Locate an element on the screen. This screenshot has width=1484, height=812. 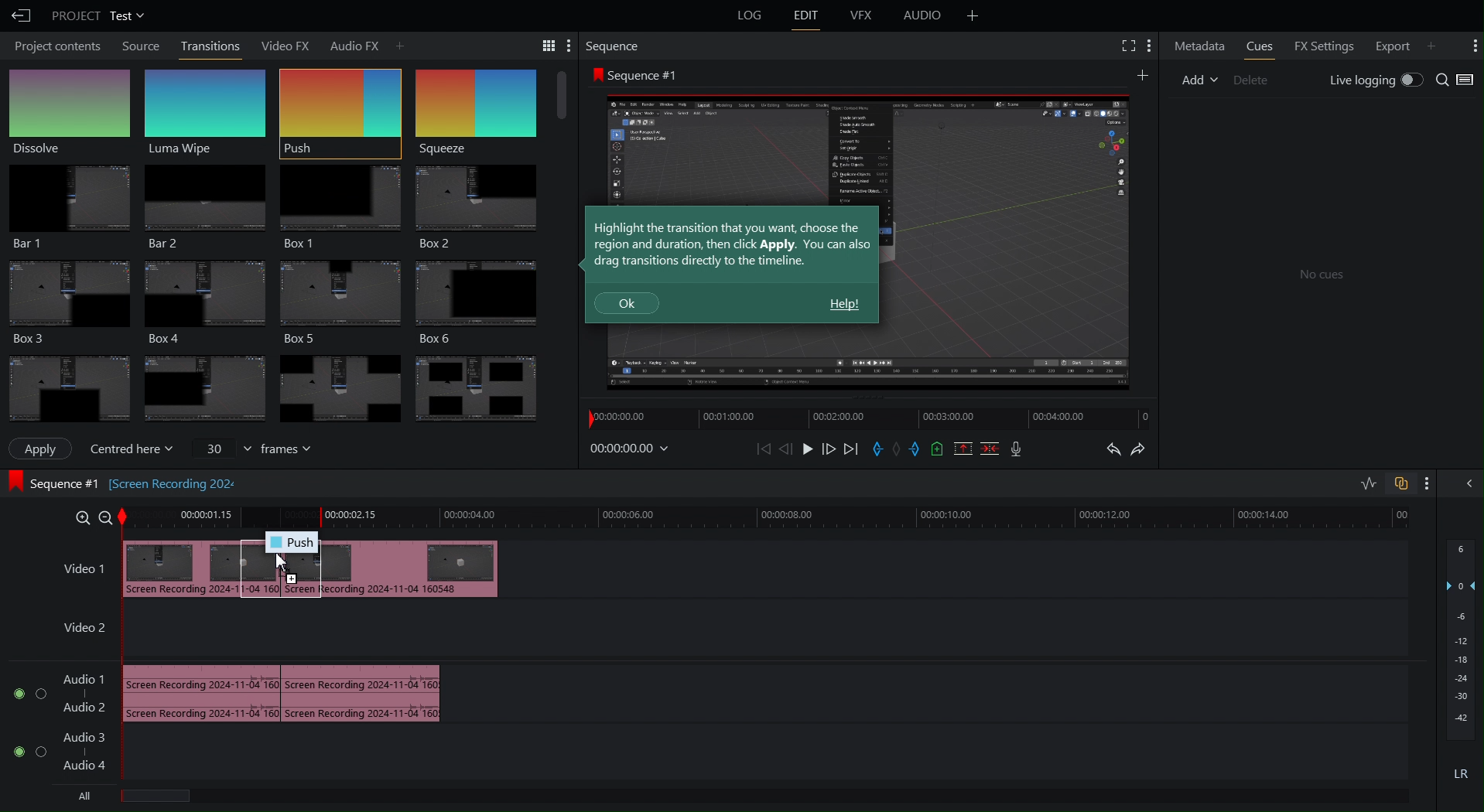
toggle is located at coordinates (13, 750).